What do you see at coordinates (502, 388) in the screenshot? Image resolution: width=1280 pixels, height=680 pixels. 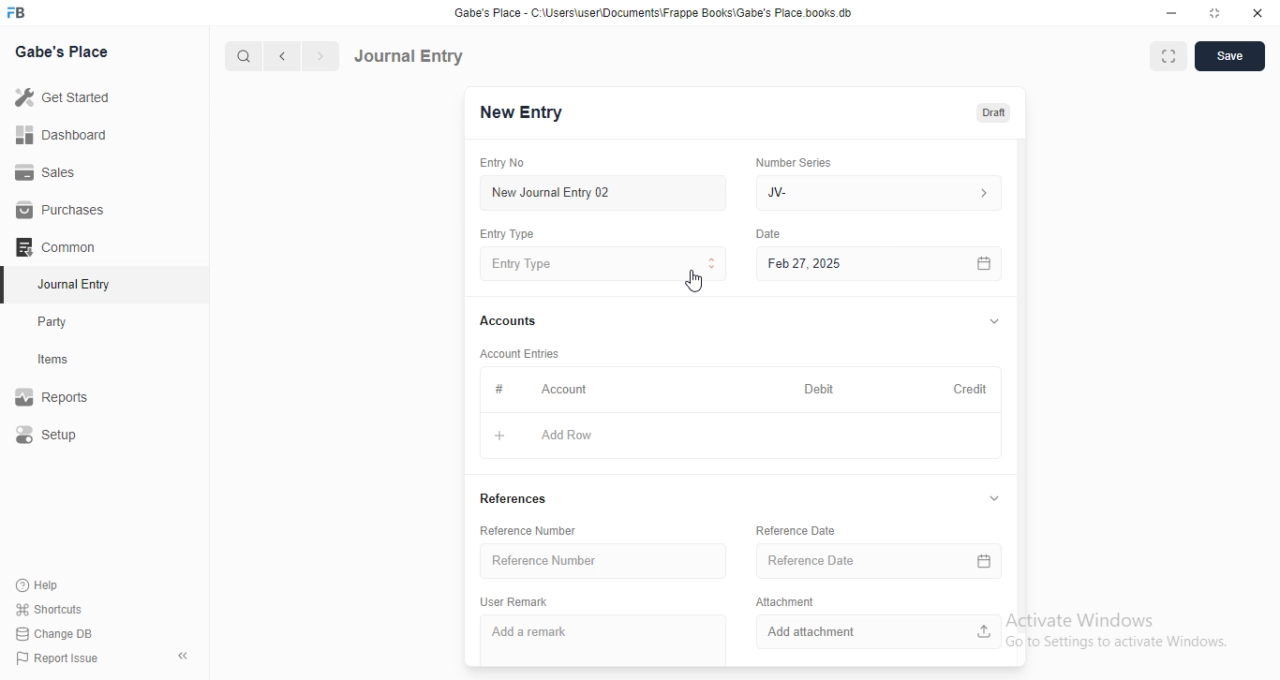 I see `#` at bounding box center [502, 388].